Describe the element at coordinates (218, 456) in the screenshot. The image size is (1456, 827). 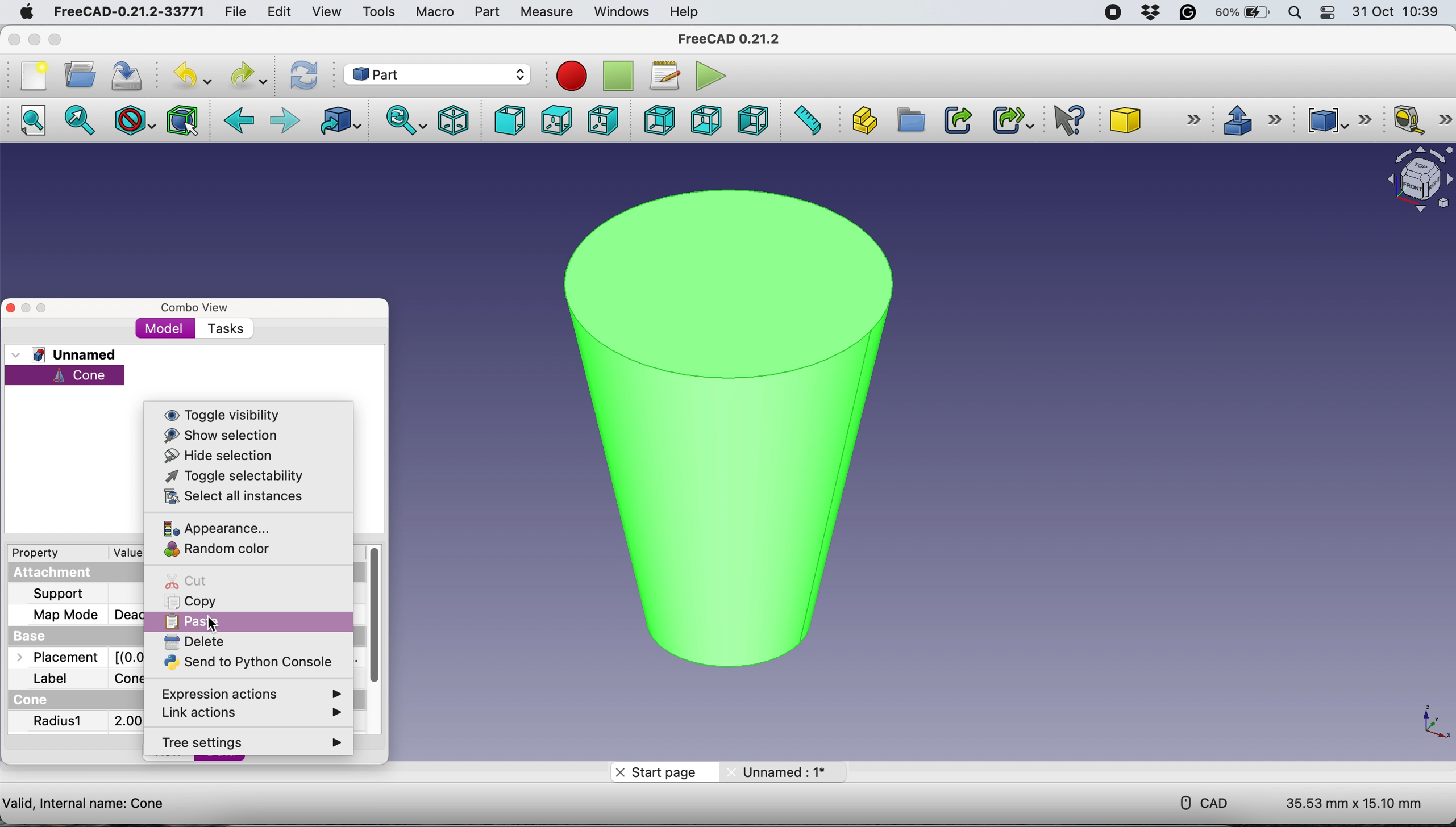
I see `hide selection` at that location.